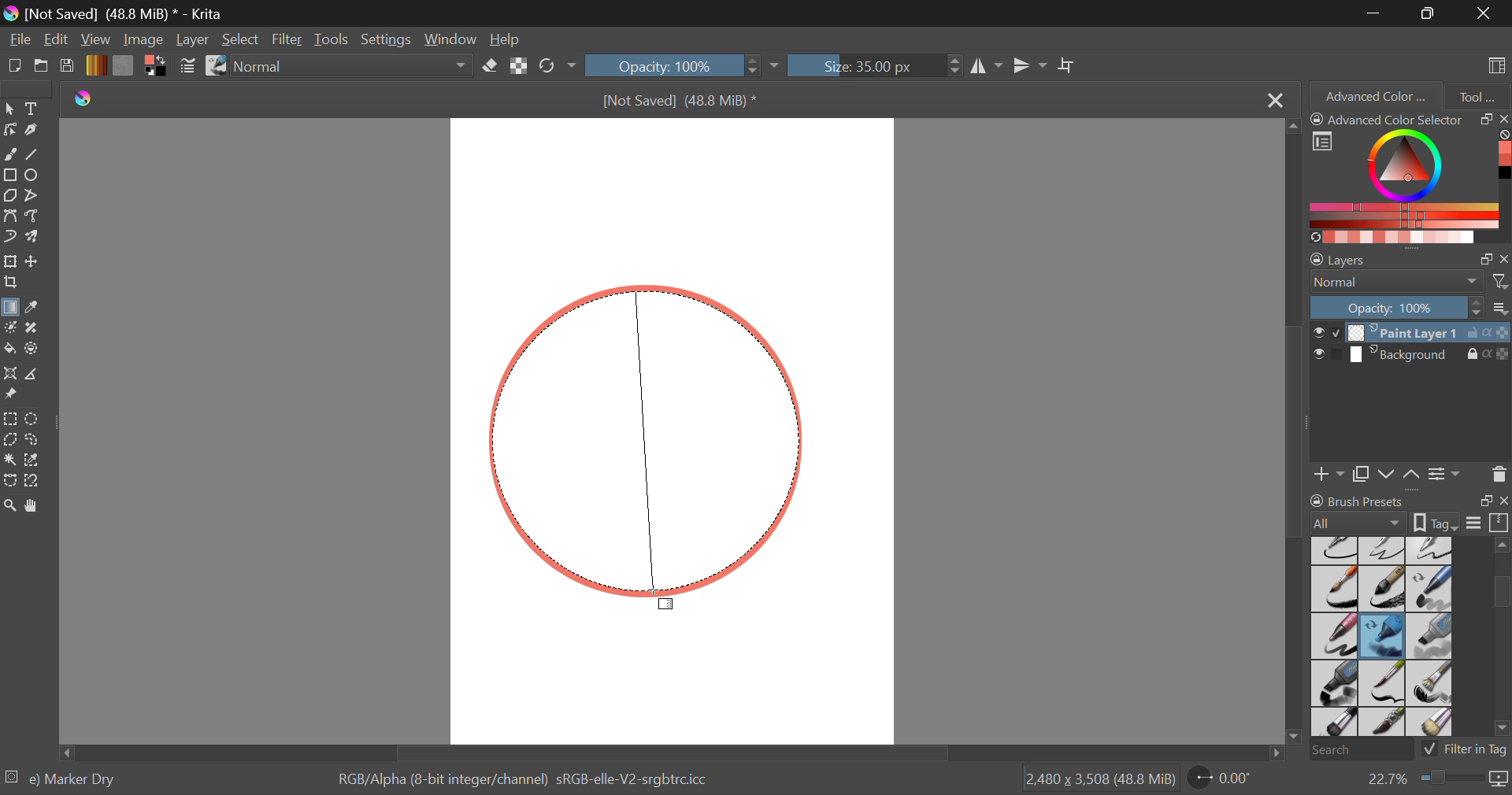 Image resolution: width=1512 pixels, height=795 pixels. Describe the element at coordinates (1431, 13) in the screenshot. I see `Minimize` at that location.